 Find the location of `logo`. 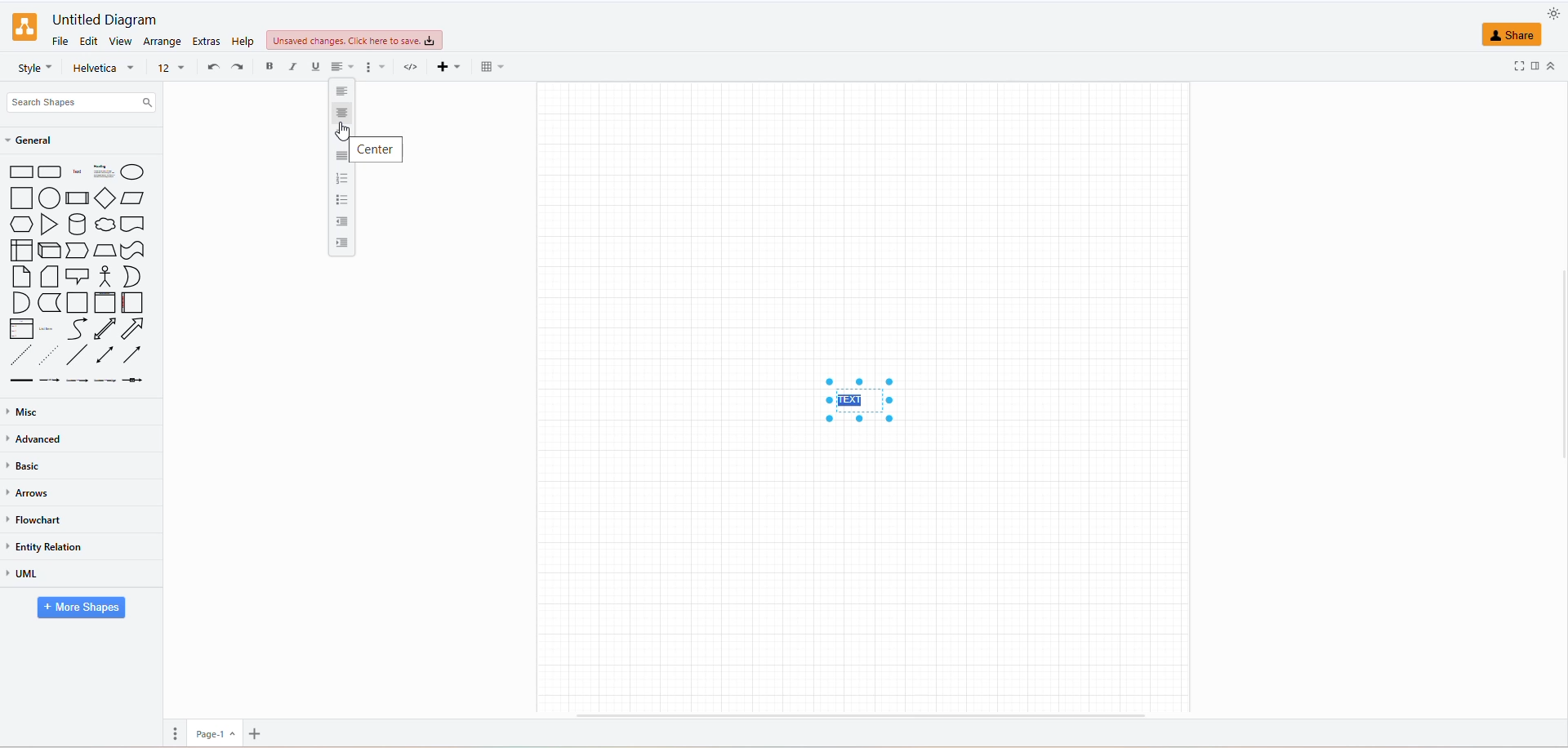

logo is located at coordinates (23, 27).